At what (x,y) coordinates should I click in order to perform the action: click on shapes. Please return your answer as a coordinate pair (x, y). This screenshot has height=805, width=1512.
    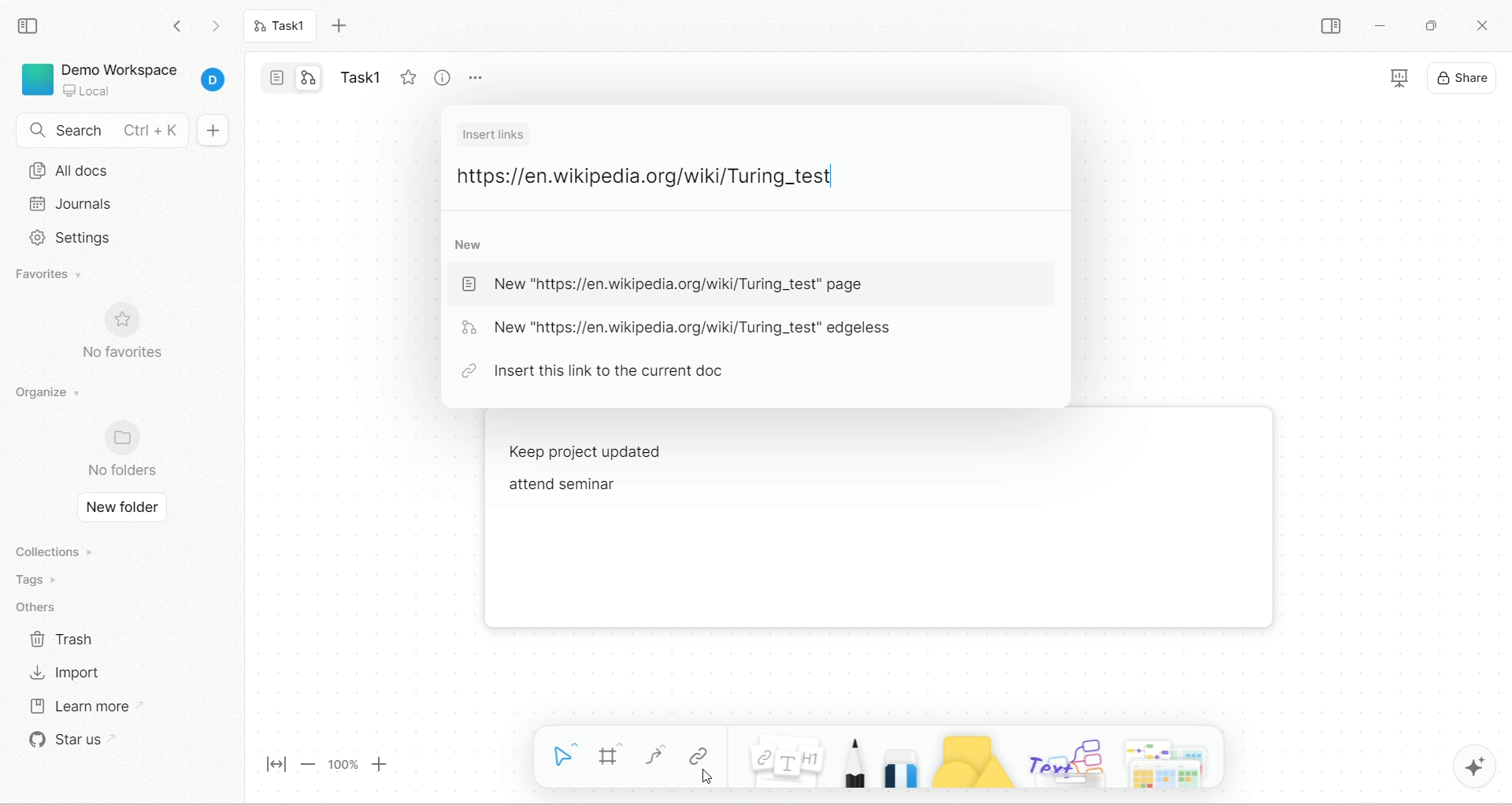
    Looking at the image, I should click on (971, 762).